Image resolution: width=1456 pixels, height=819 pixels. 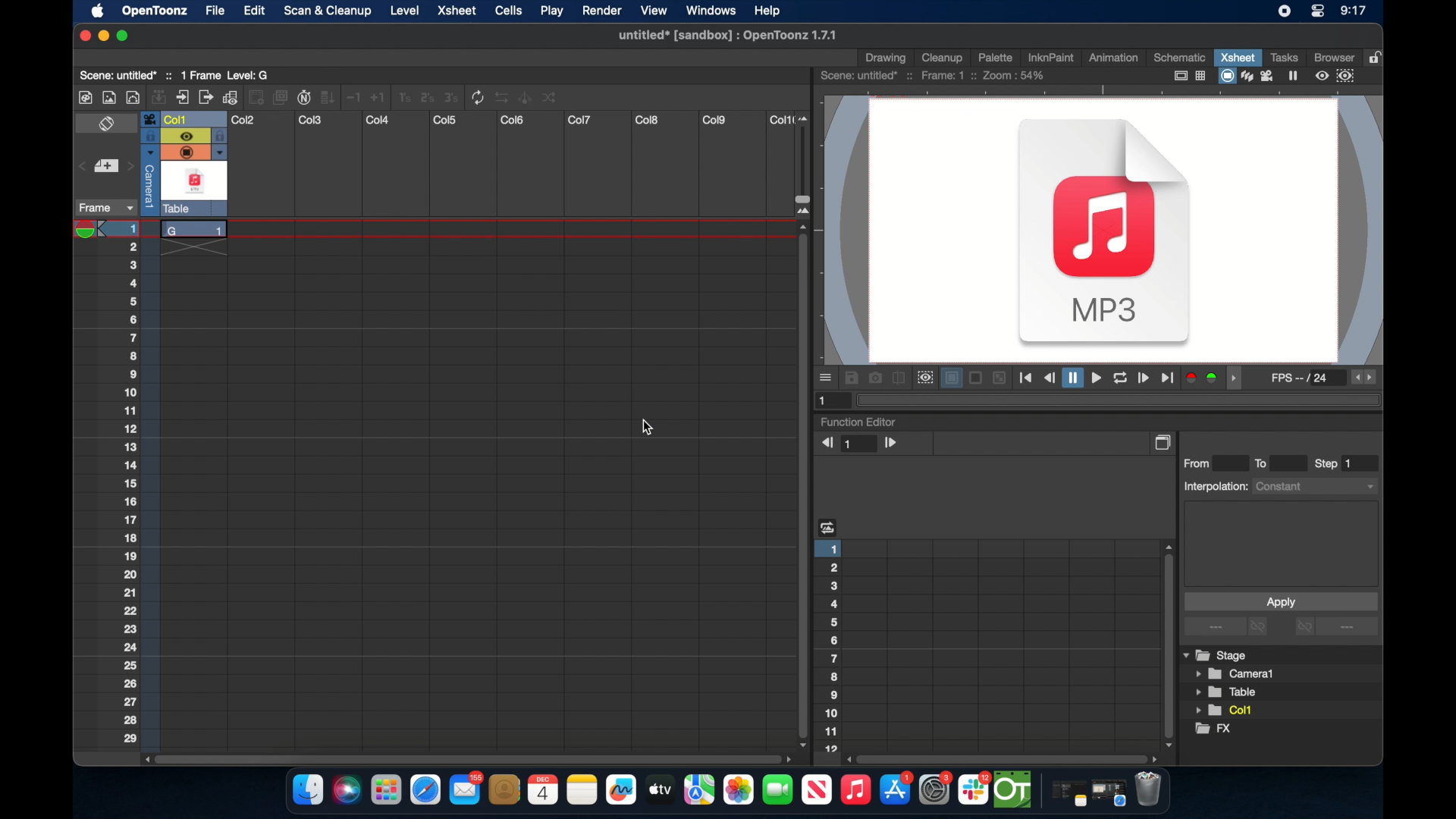 What do you see at coordinates (1166, 645) in the screenshot?
I see `scroll box` at bounding box center [1166, 645].